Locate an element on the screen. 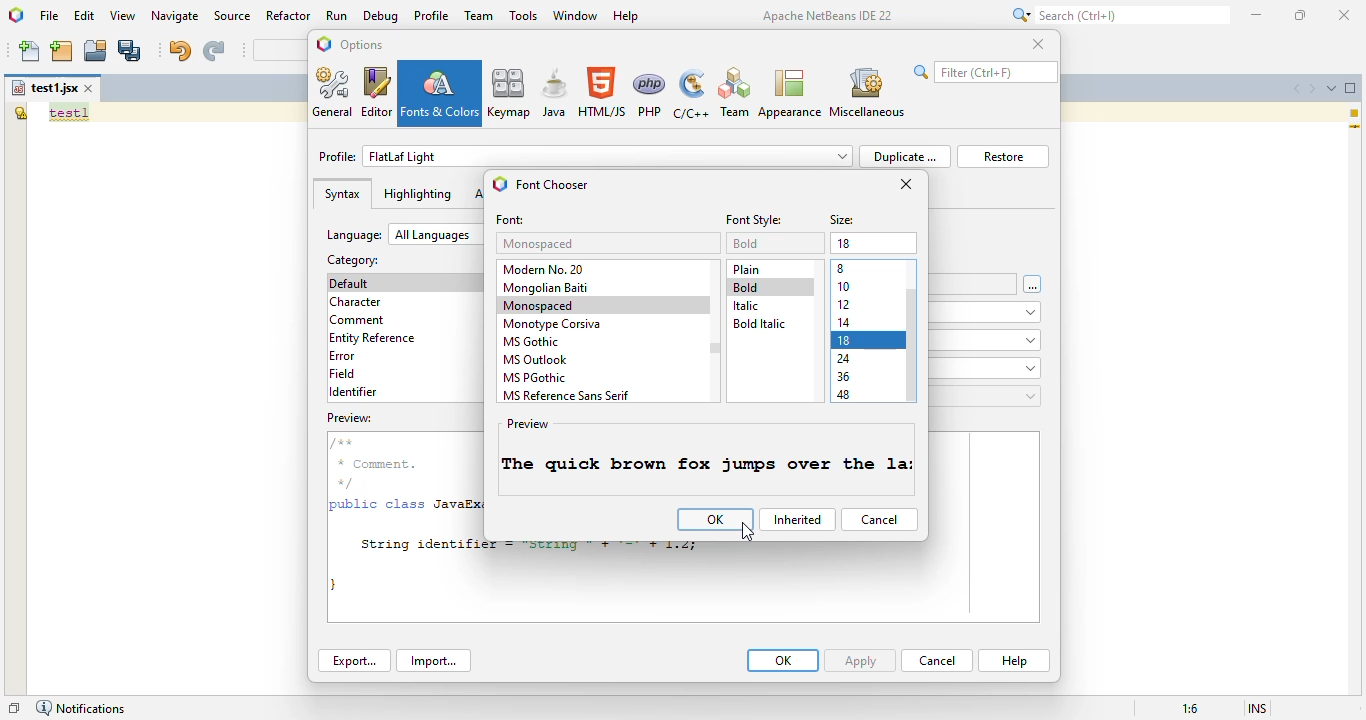  help is located at coordinates (626, 16).